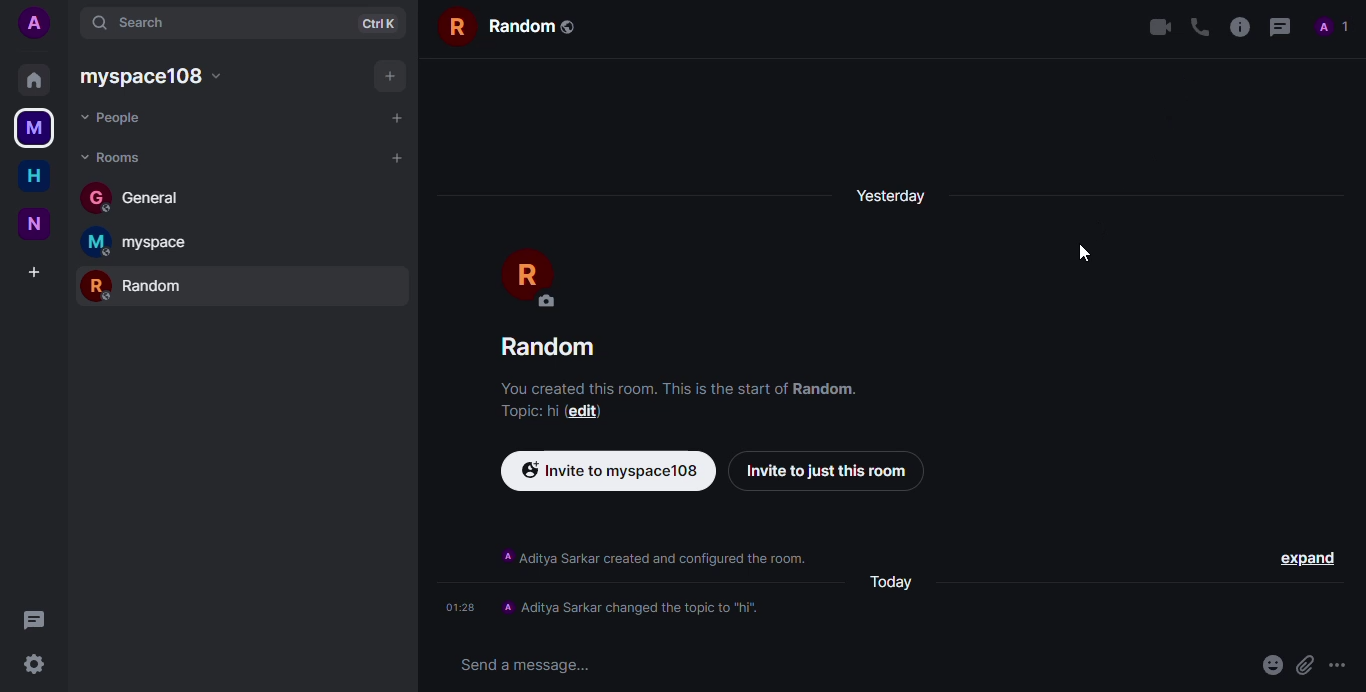 This screenshot has width=1366, height=692. What do you see at coordinates (690, 389) in the screenshot?
I see `You created this room. This is the start of random.` at bounding box center [690, 389].